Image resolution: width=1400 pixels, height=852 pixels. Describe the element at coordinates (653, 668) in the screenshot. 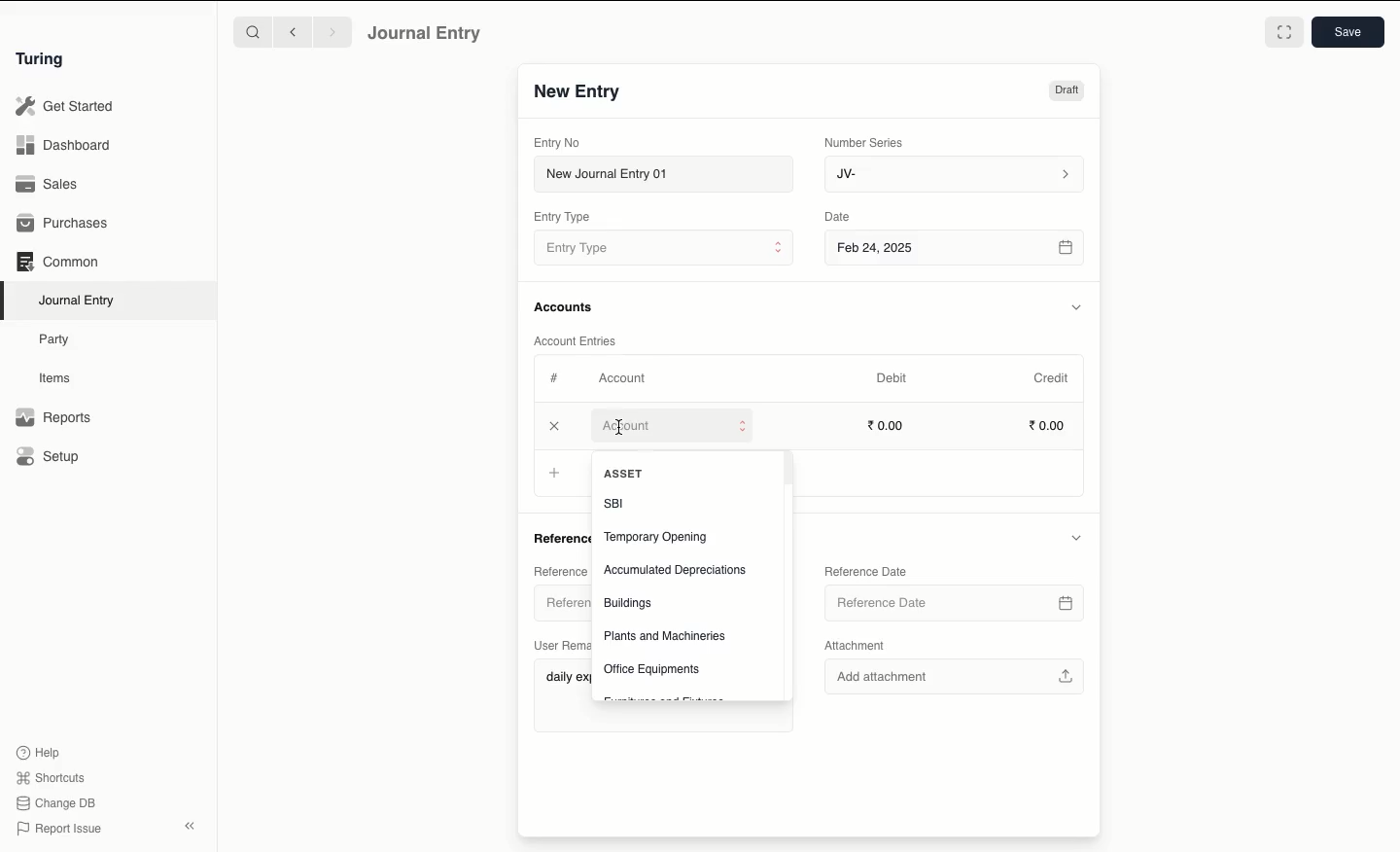

I see `Office Equipments` at that location.